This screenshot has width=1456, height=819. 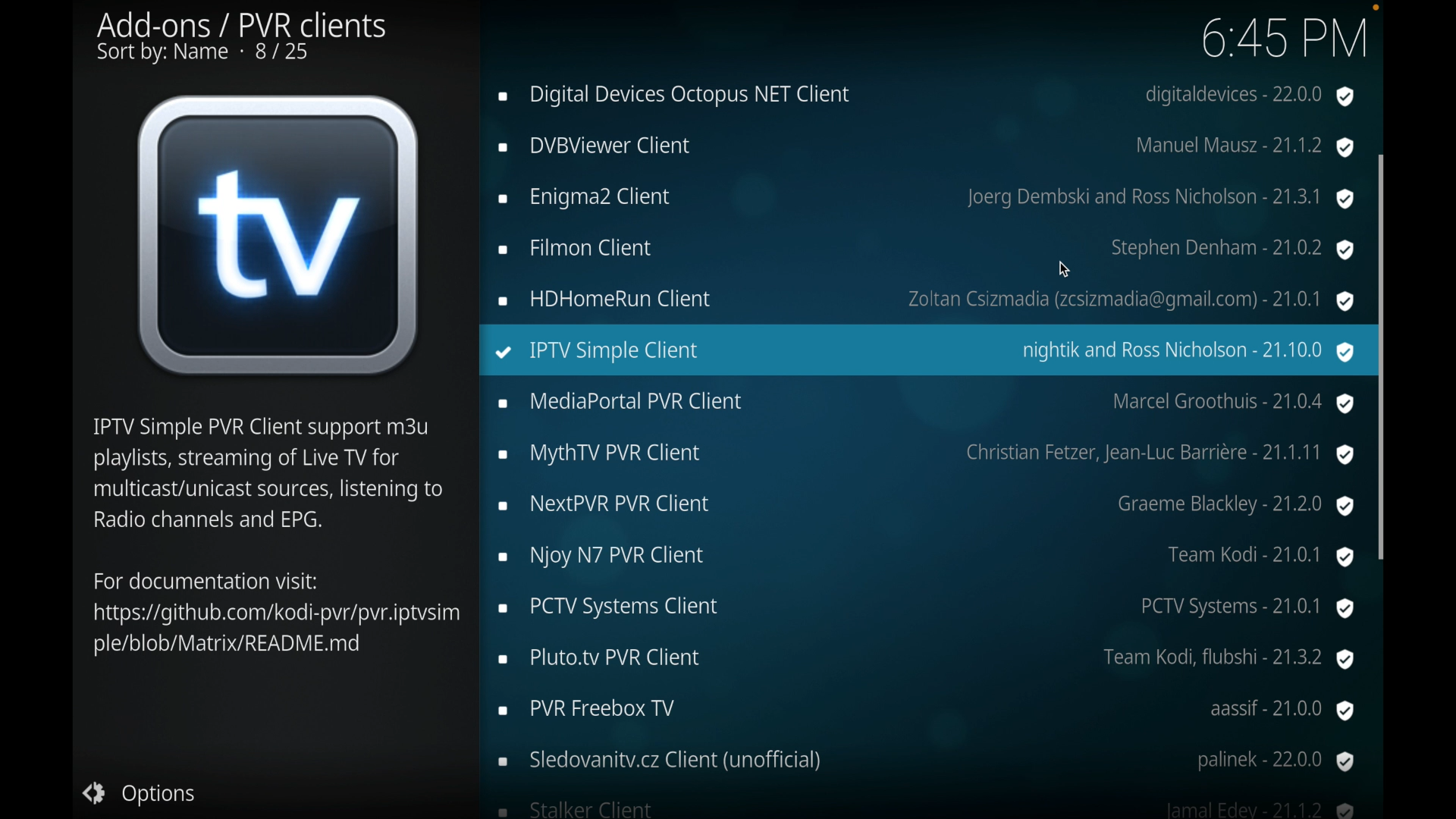 I want to click on add-ons/ pvr clients, so click(x=244, y=38).